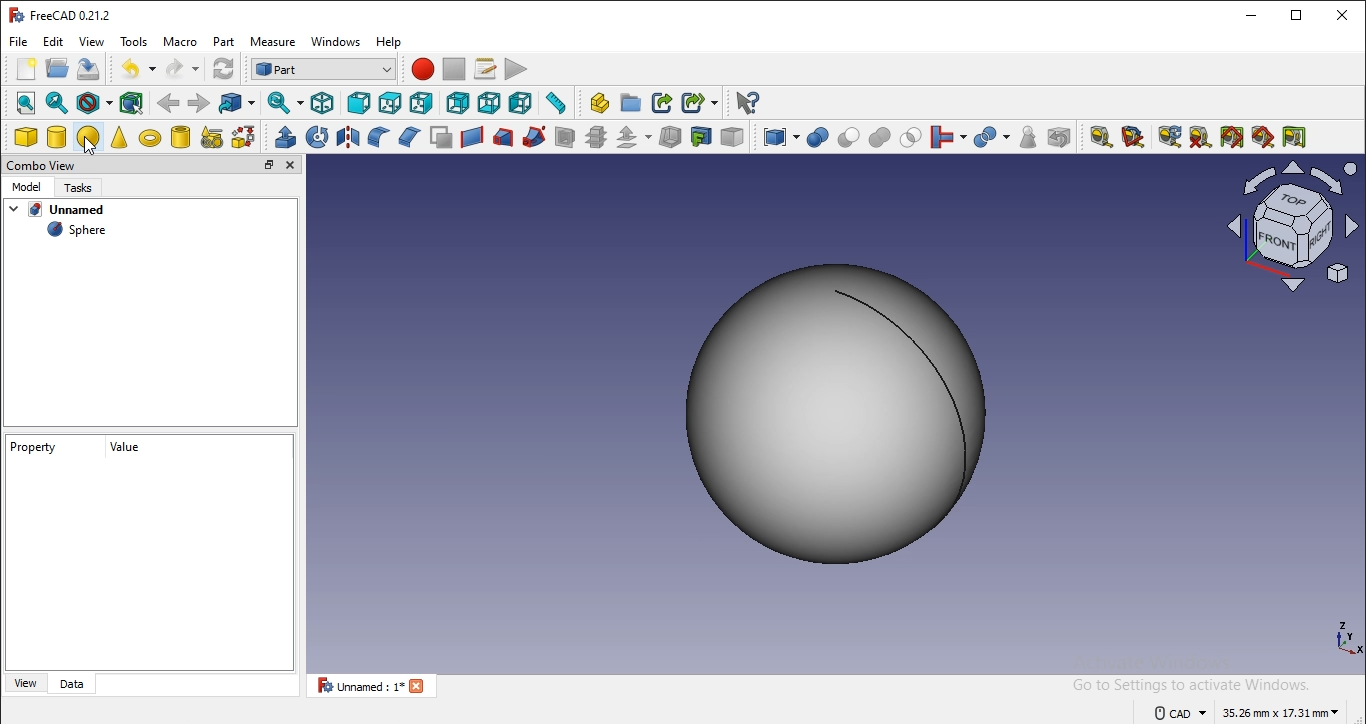 The width and height of the screenshot is (1366, 724). I want to click on create projection on surface, so click(701, 137).